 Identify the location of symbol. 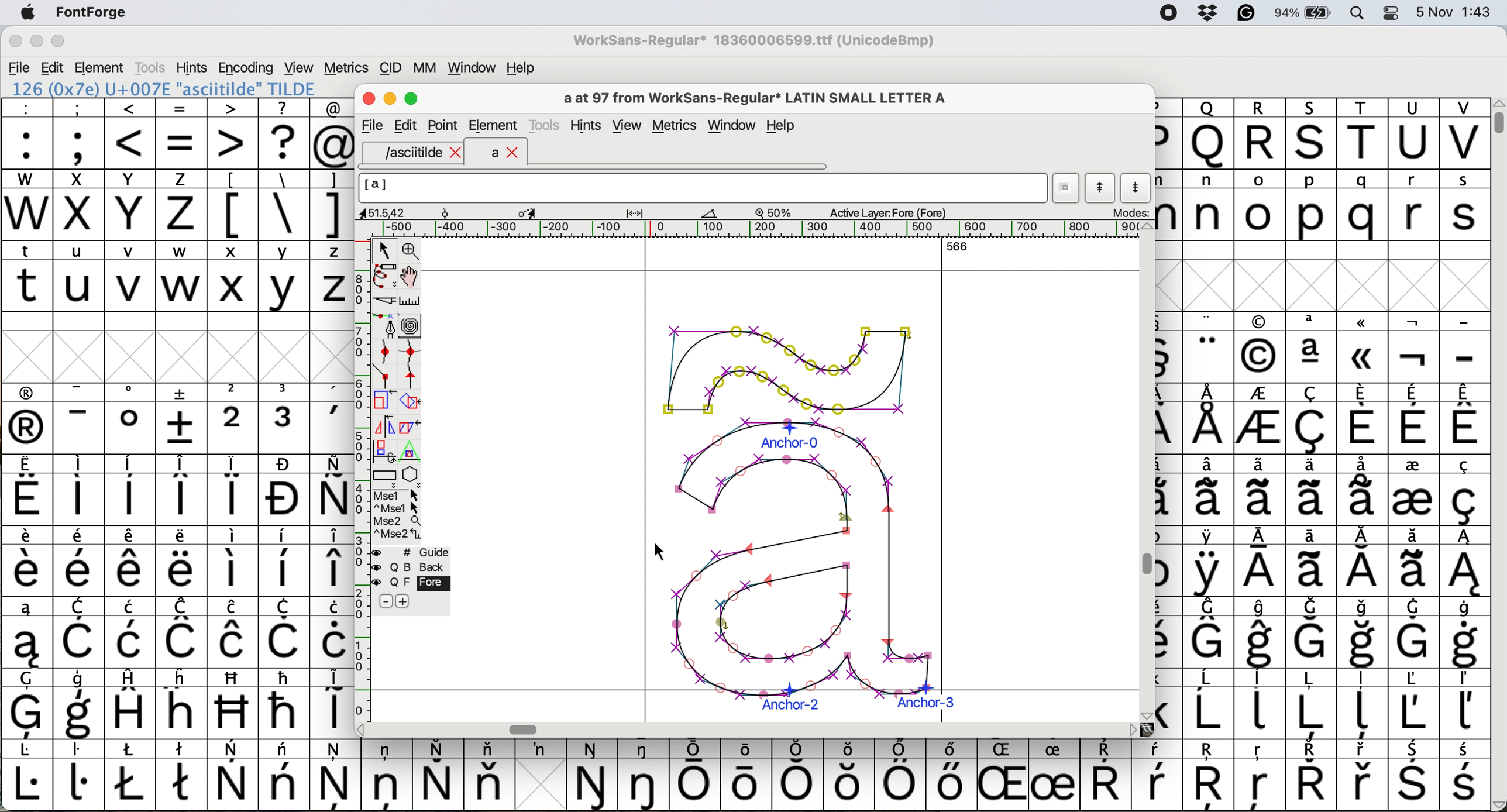
(1312, 347).